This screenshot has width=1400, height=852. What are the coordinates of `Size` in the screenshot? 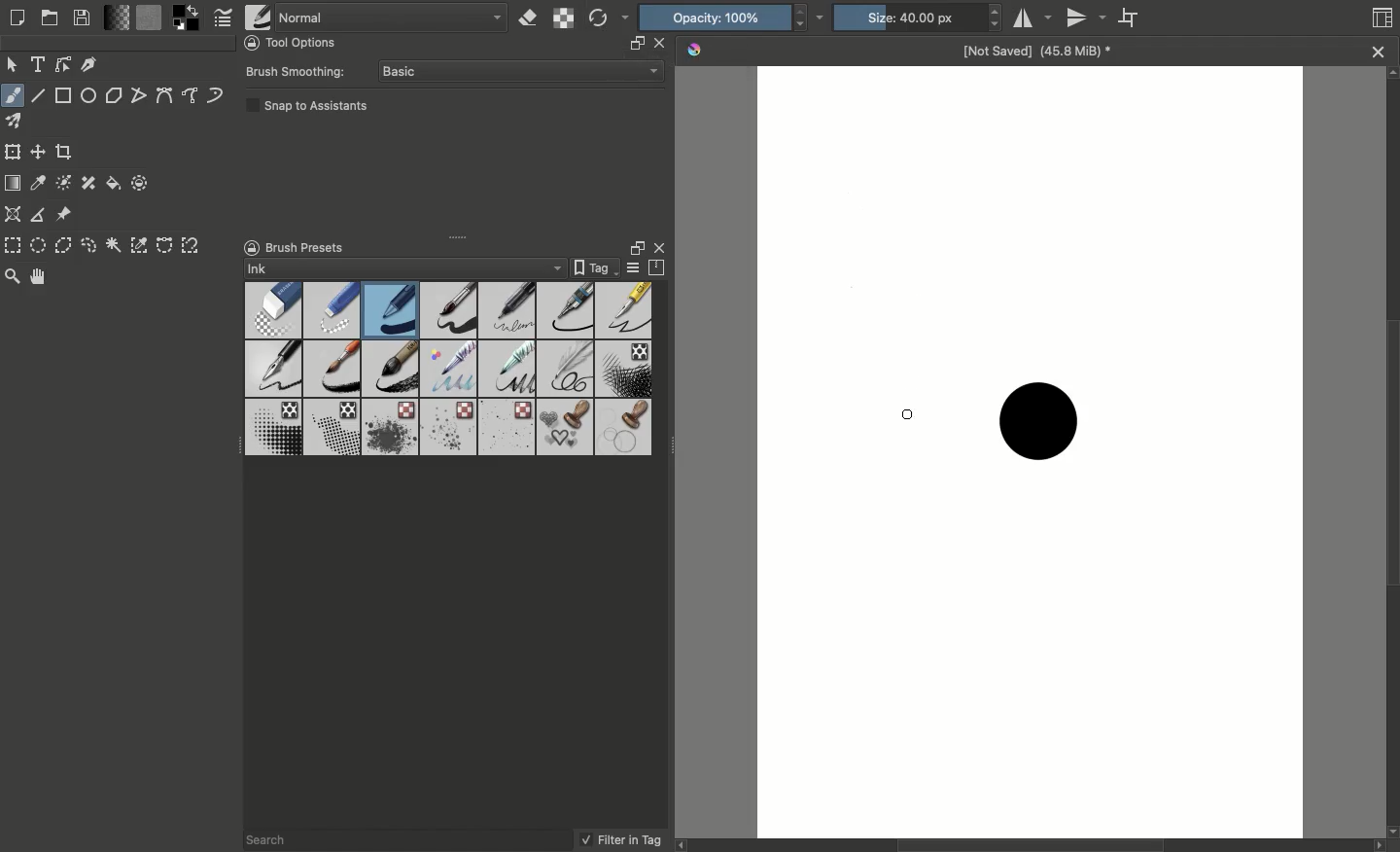 It's located at (914, 18).